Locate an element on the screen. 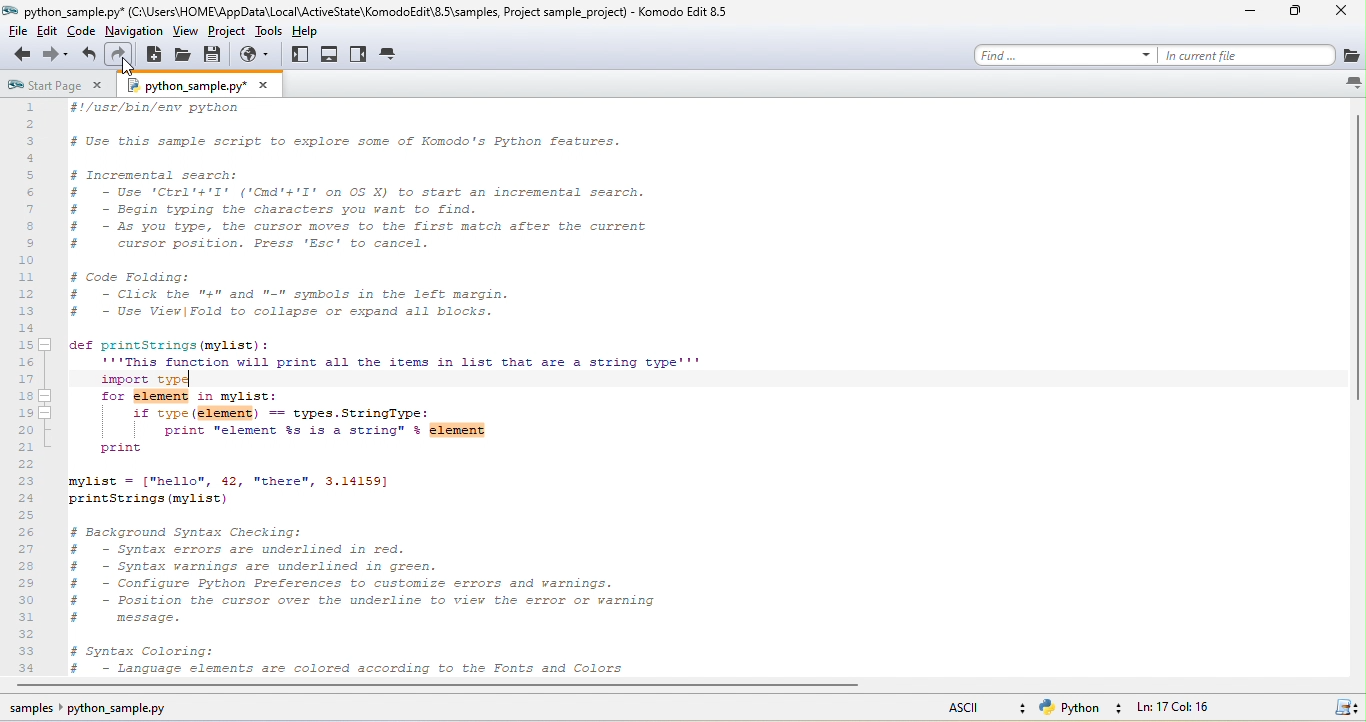  python code is located at coordinates (701, 387).